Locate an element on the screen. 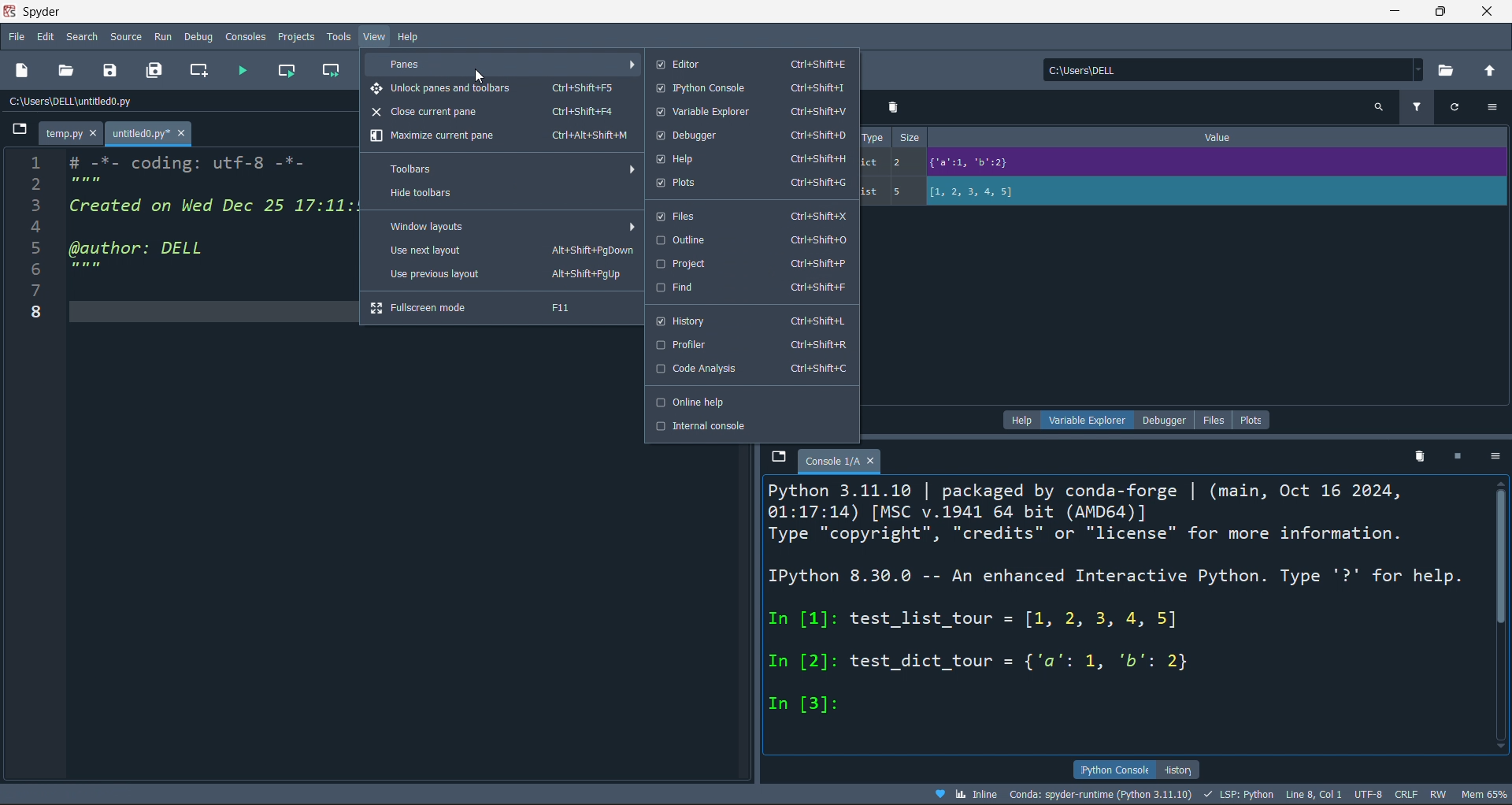  new cell is located at coordinates (200, 69).